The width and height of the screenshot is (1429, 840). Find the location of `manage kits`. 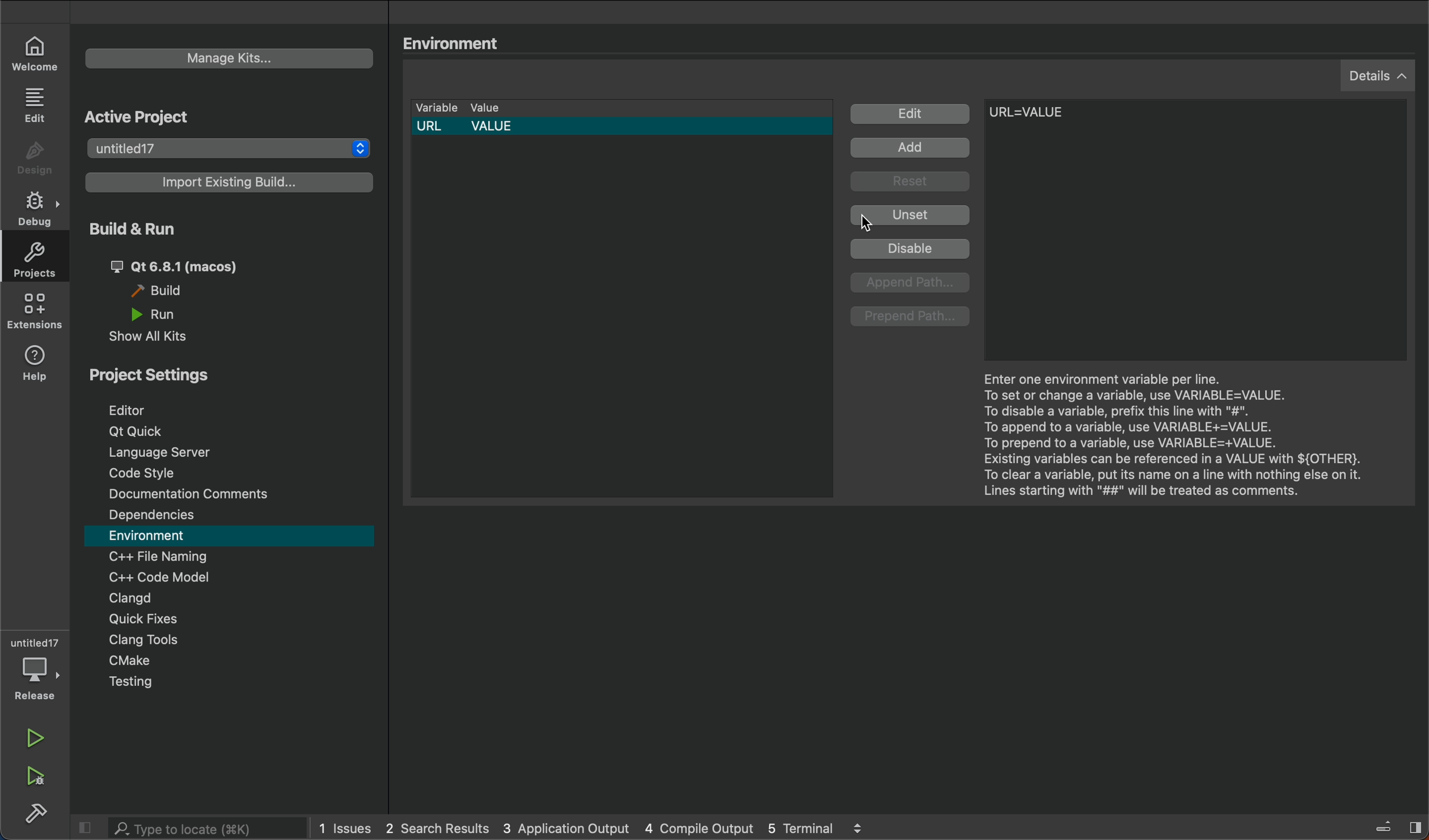

manage kits is located at coordinates (209, 59).